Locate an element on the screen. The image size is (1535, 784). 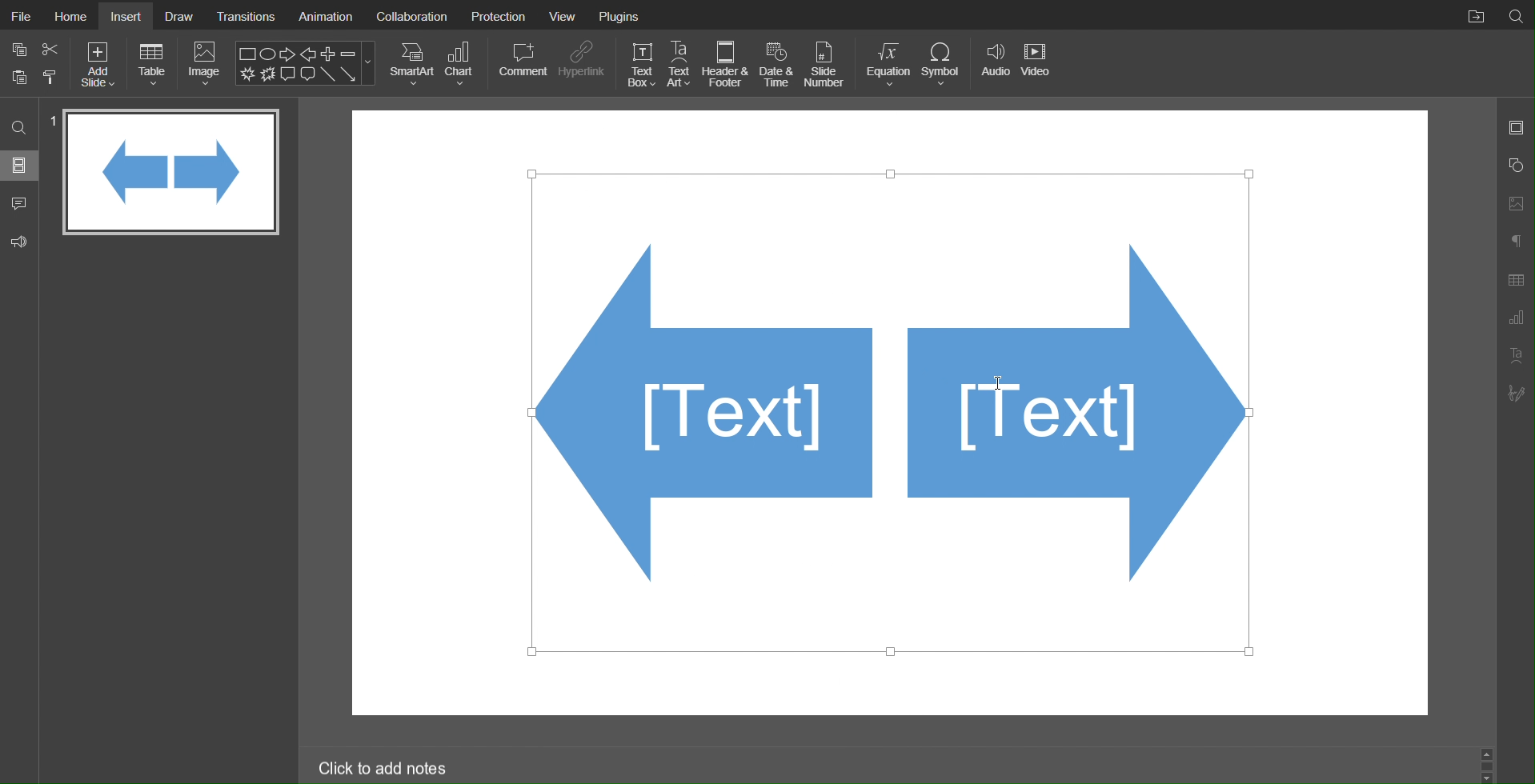
Signature is located at coordinates (1515, 393).